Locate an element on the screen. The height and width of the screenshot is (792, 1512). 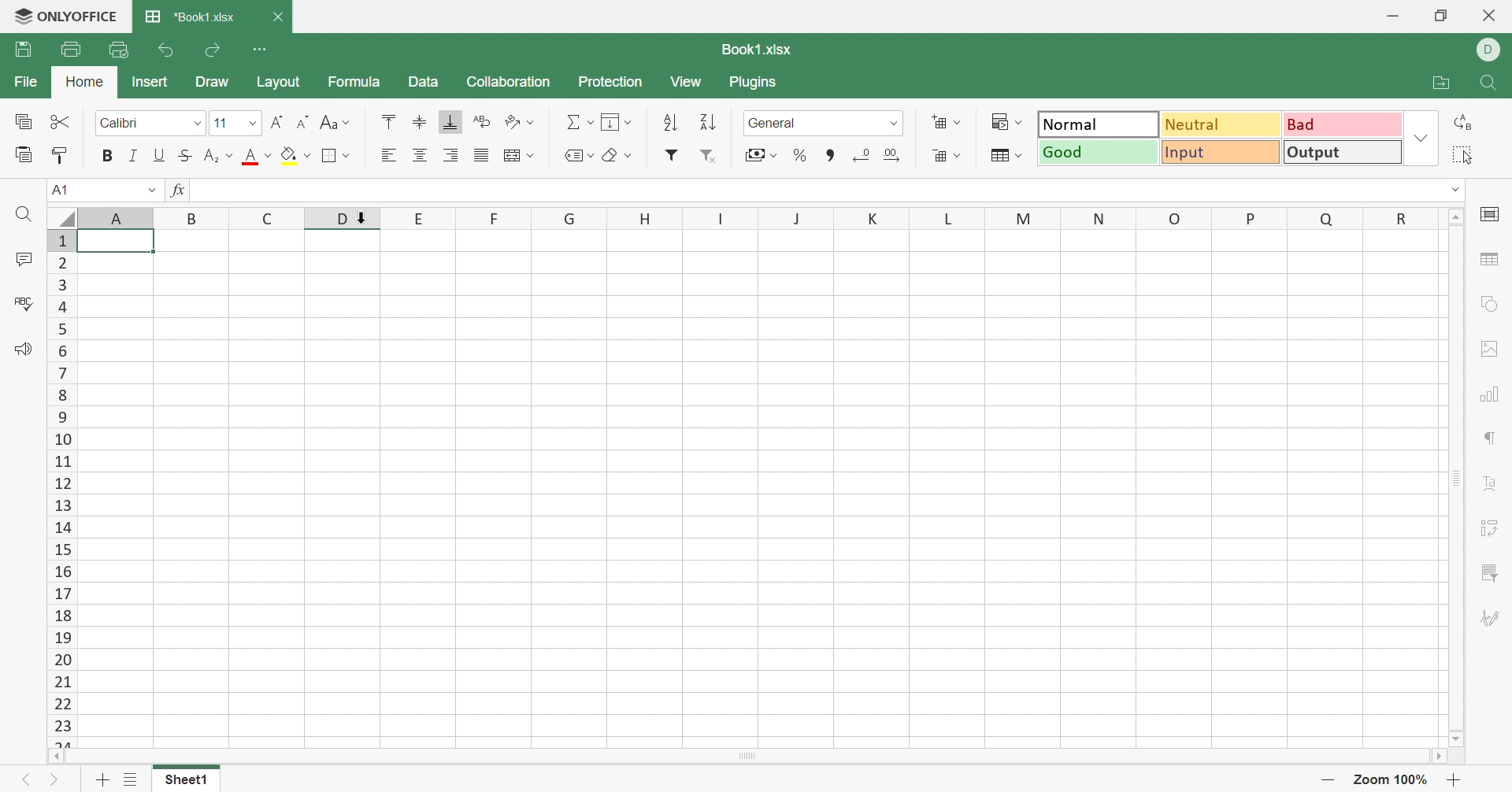
Bold is located at coordinates (109, 156).